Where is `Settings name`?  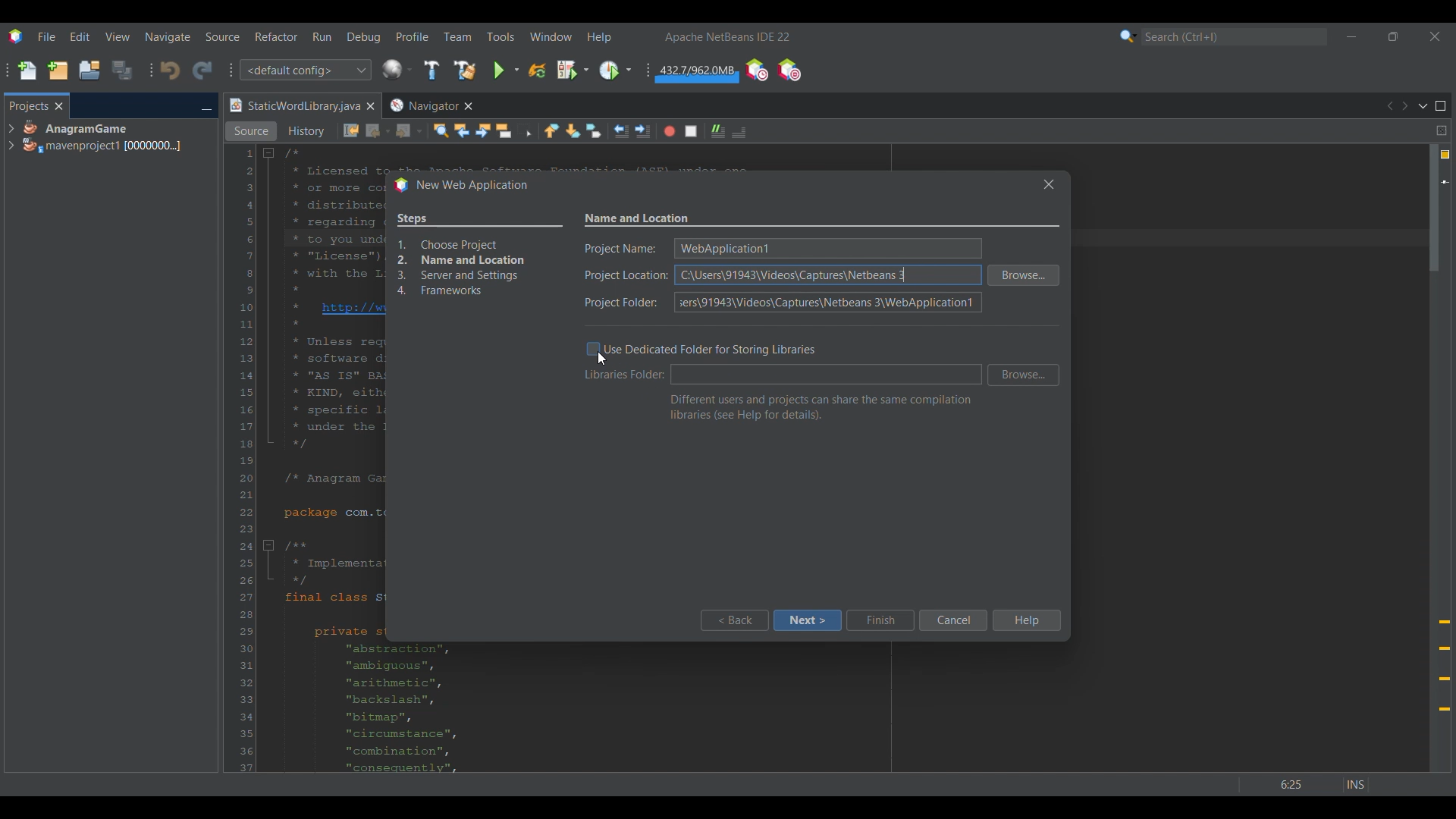
Settings name is located at coordinates (638, 219).